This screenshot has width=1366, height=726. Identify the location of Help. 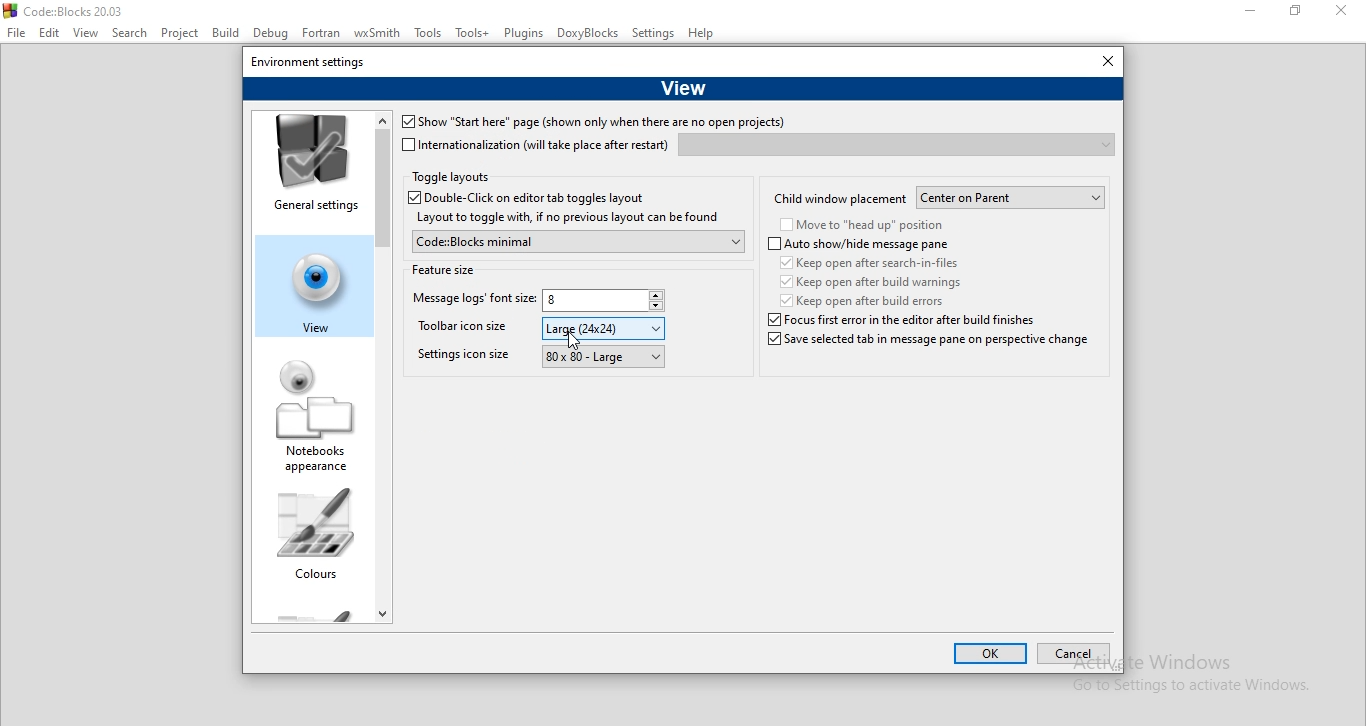
(703, 35).